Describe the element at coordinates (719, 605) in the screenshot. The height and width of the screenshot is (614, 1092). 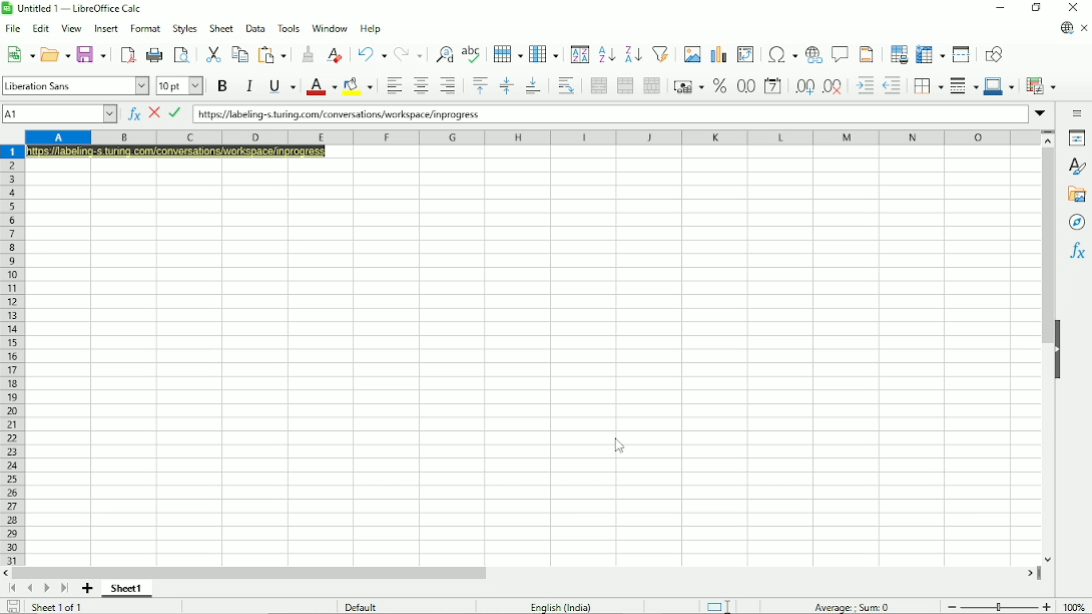
I see `Standard selection` at that location.